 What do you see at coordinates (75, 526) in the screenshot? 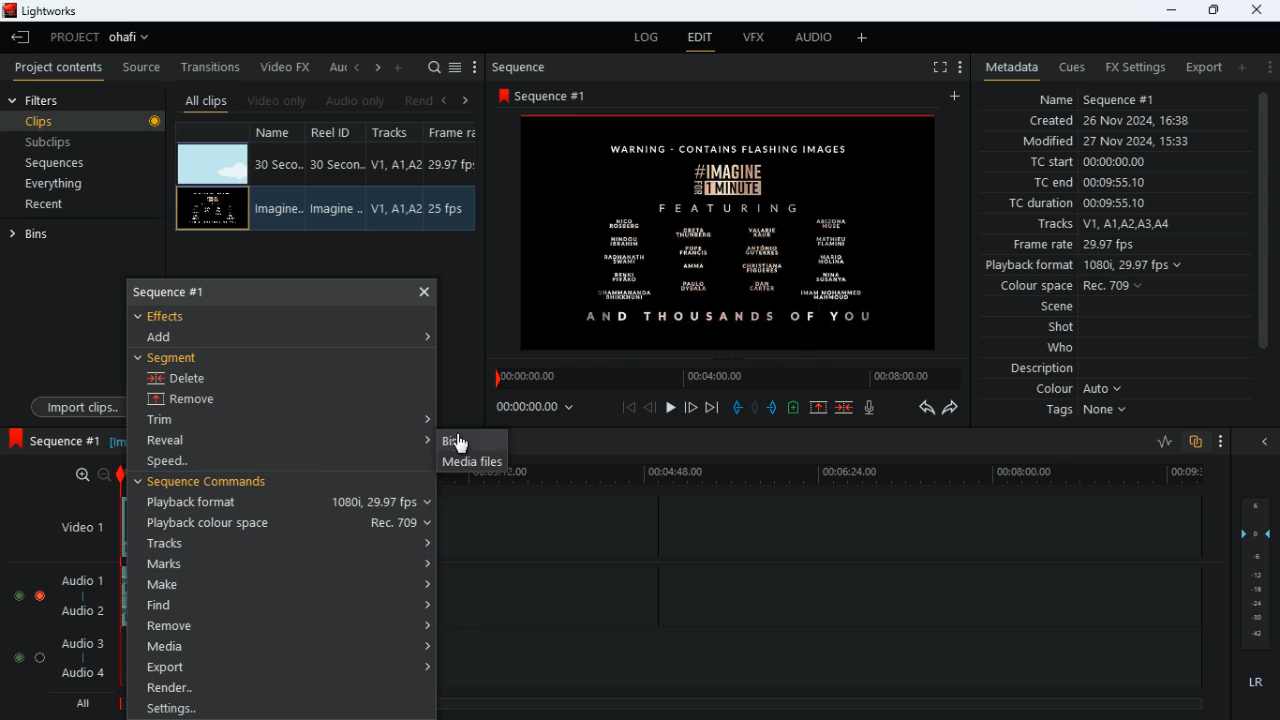
I see `video 1` at bounding box center [75, 526].